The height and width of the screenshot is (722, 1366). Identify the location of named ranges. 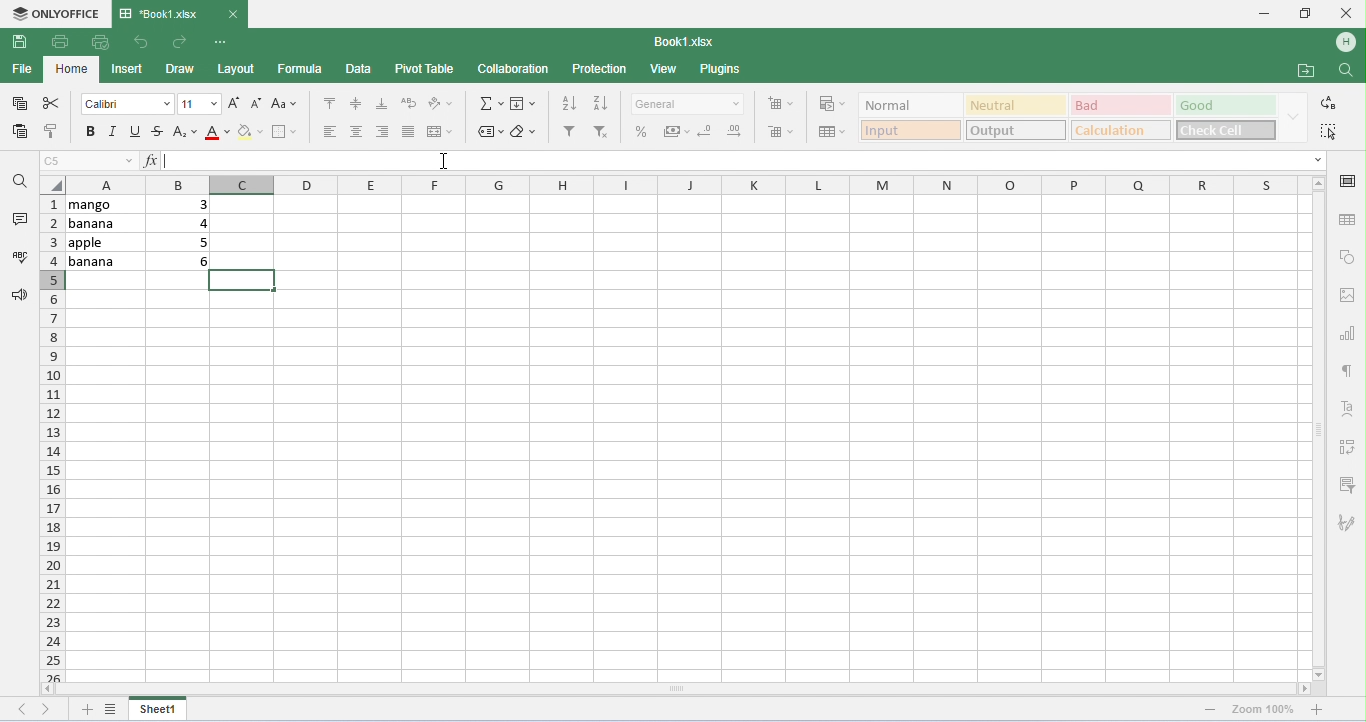
(490, 132).